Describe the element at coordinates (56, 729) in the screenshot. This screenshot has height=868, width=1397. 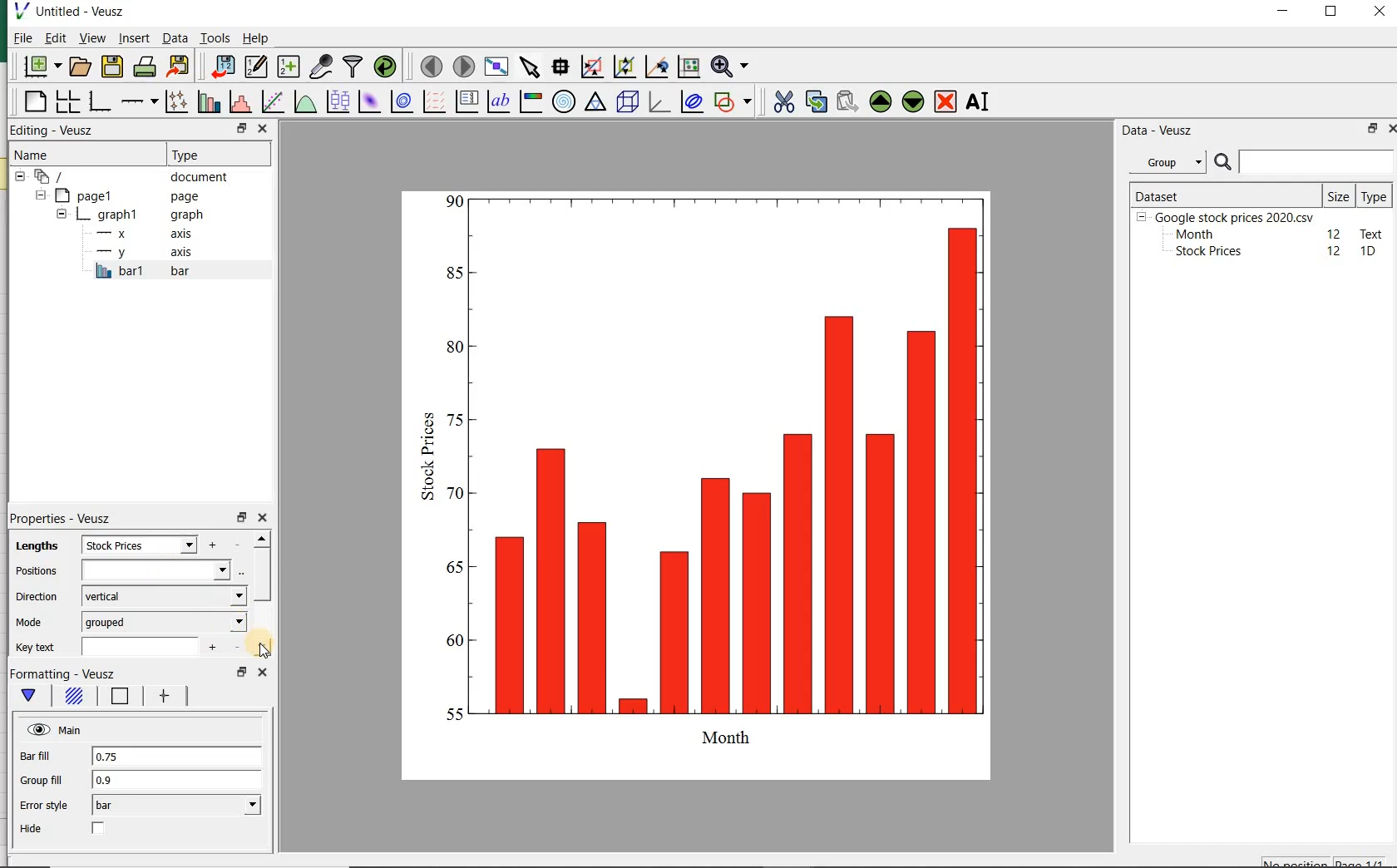
I see `Main` at that location.